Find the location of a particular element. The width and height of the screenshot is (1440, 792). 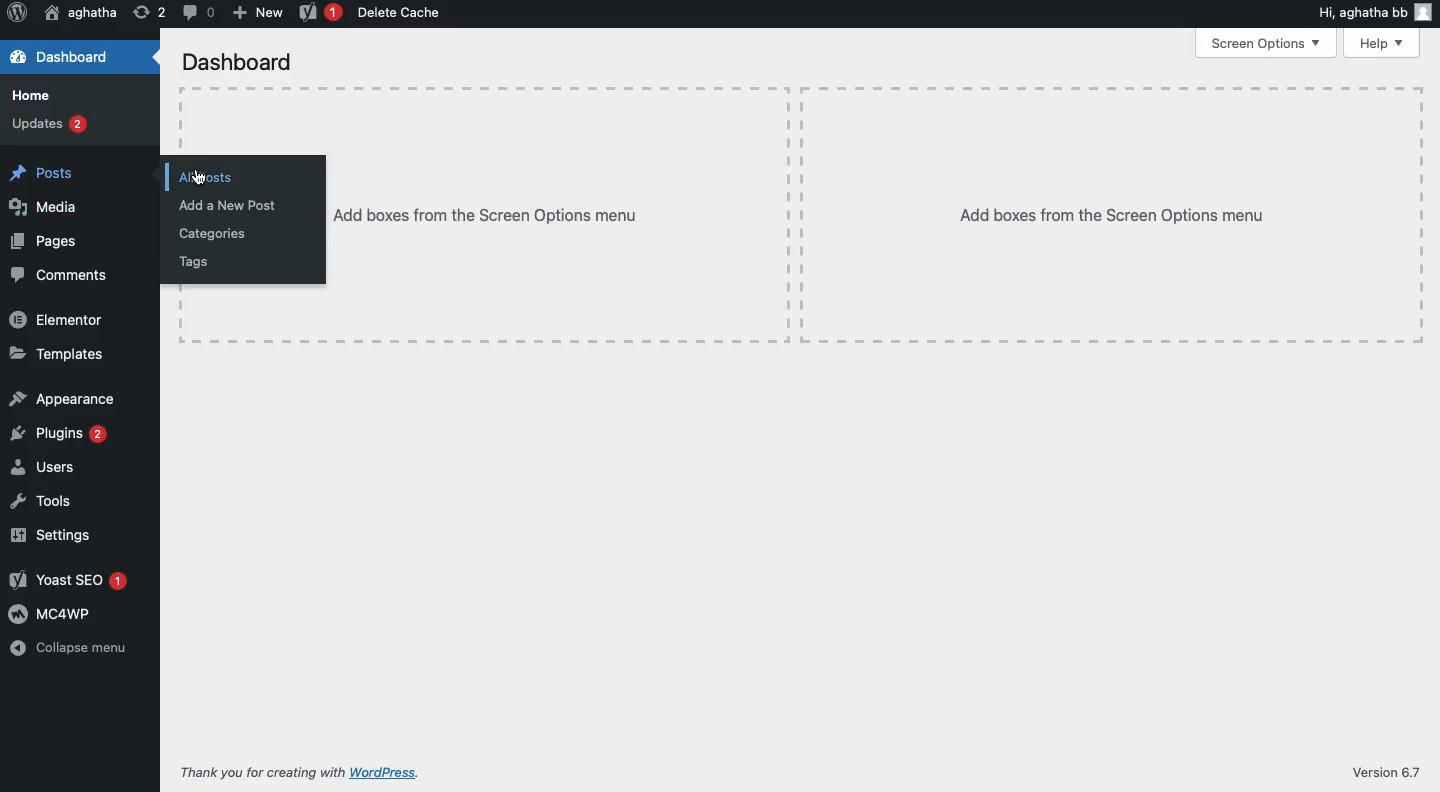

Home is located at coordinates (33, 93).